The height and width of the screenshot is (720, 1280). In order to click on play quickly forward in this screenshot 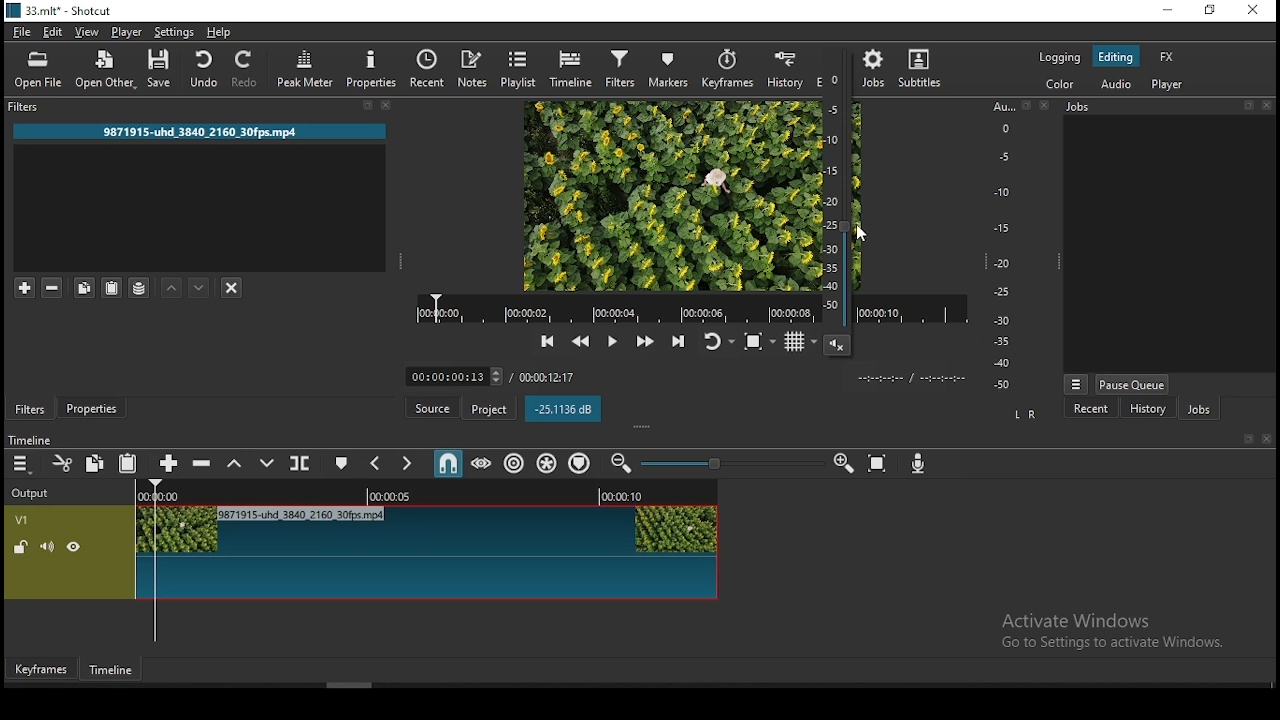, I will do `click(643, 343)`.